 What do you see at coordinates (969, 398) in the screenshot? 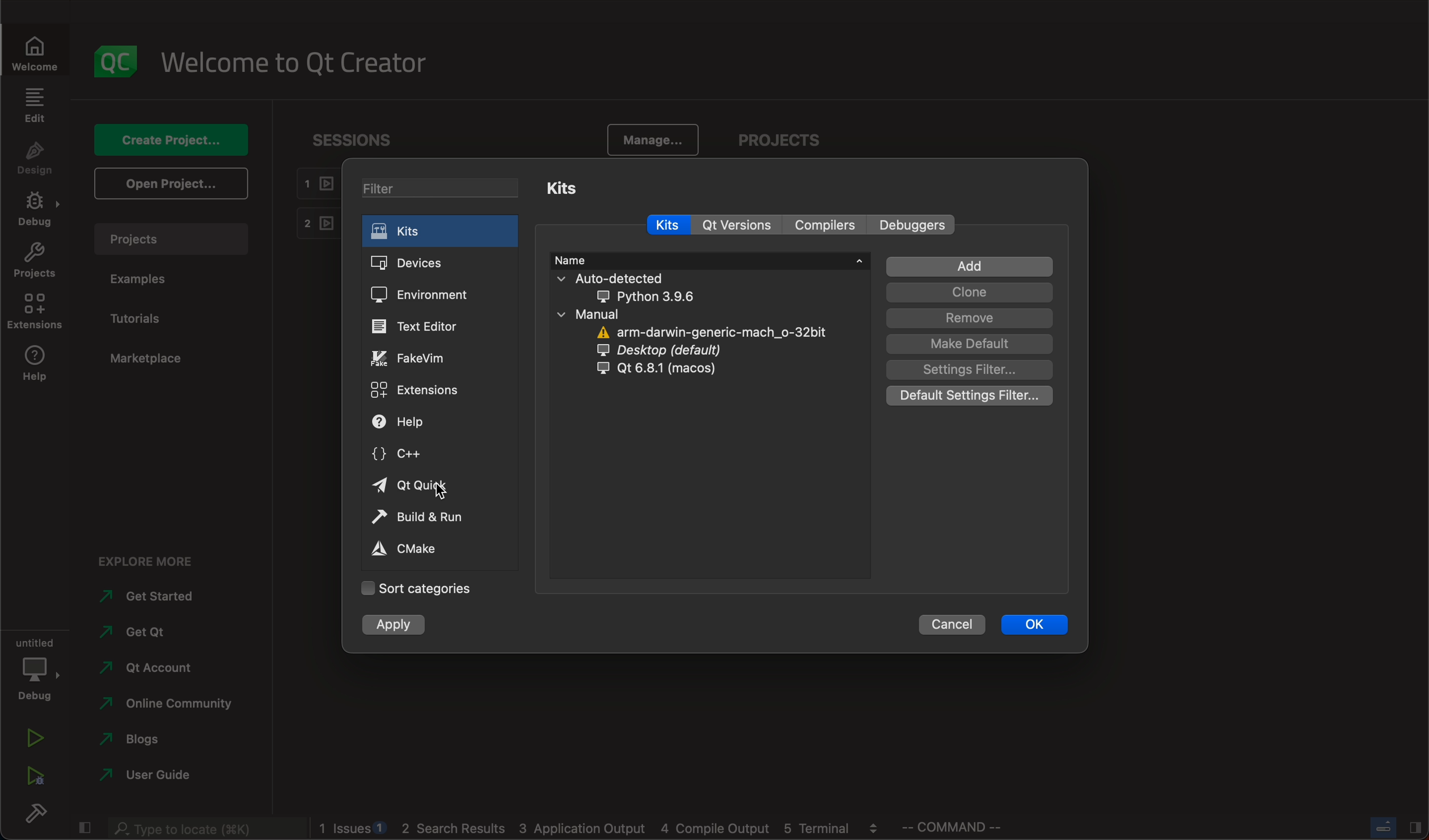
I see `default setting` at bounding box center [969, 398].